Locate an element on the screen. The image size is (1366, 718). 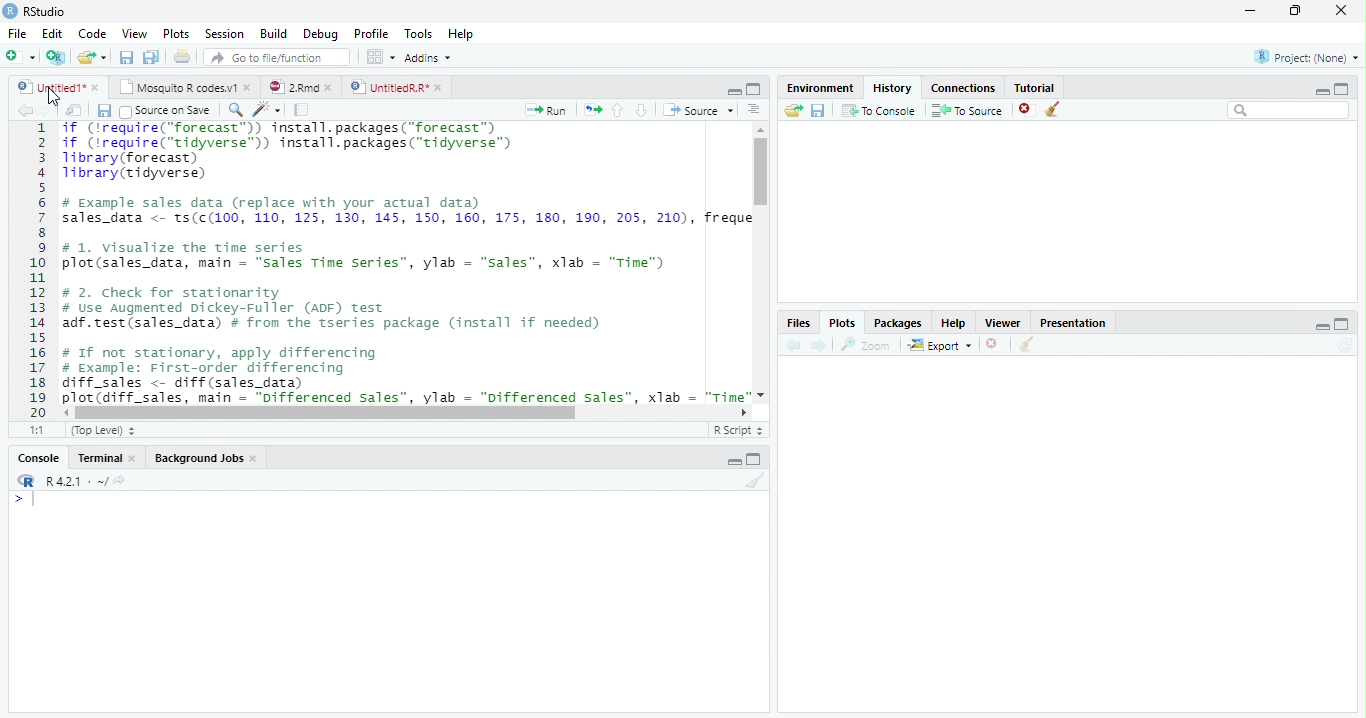
Create file is located at coordinates (21, 58).